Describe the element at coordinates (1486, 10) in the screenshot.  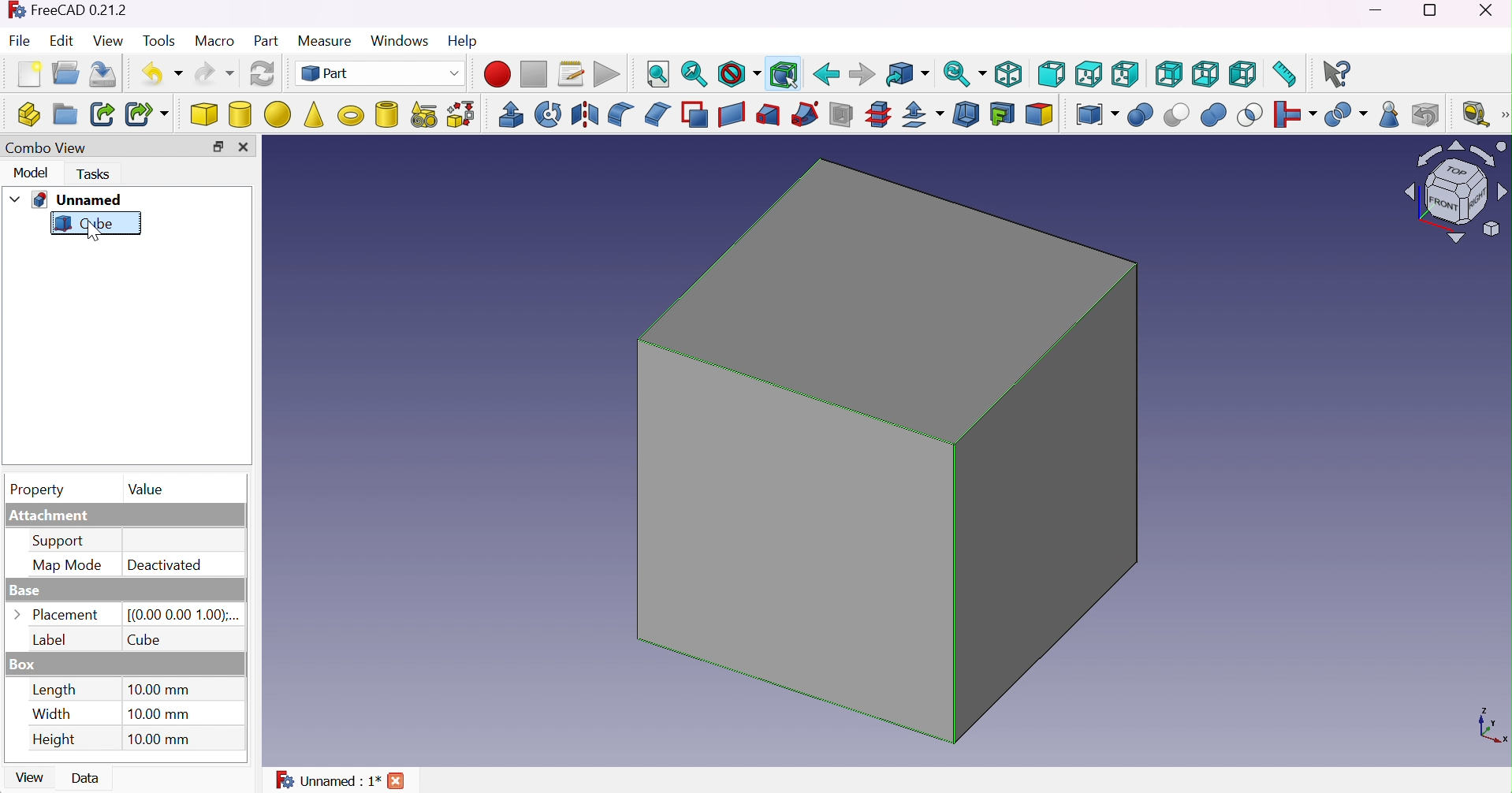
I see `Close` at that location.